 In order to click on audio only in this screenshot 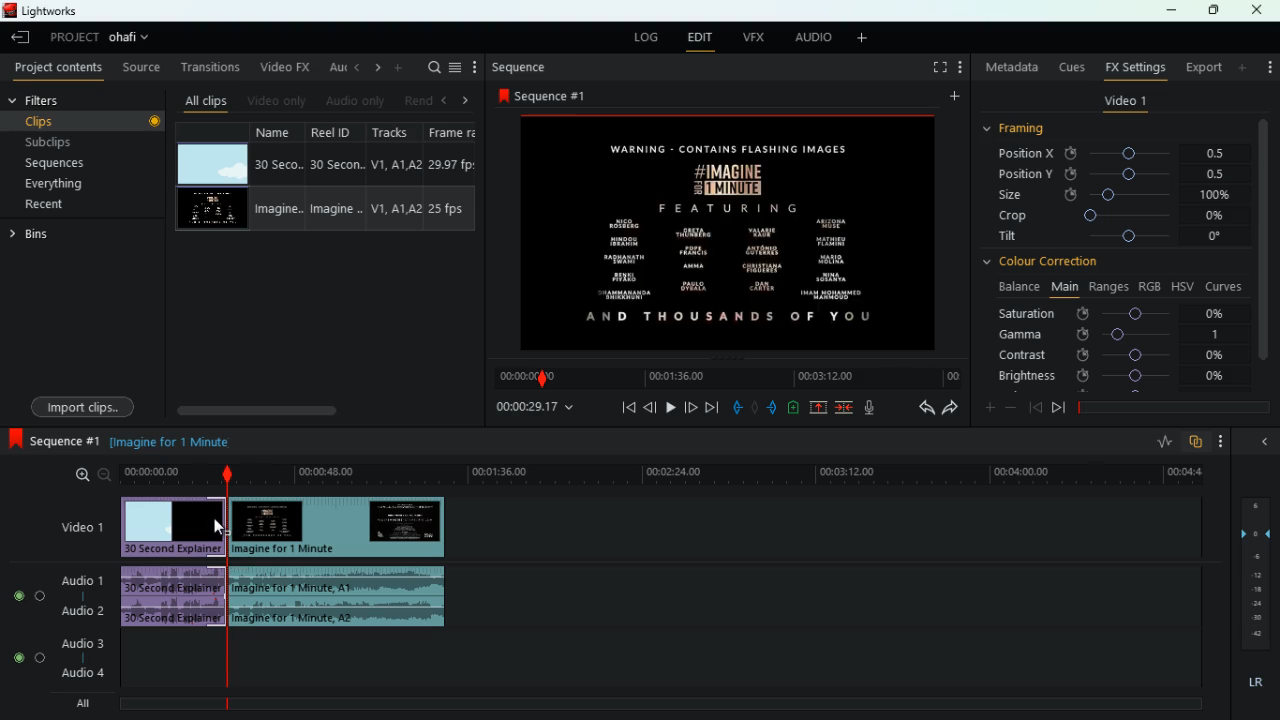, I will do `click(354, 102)`.